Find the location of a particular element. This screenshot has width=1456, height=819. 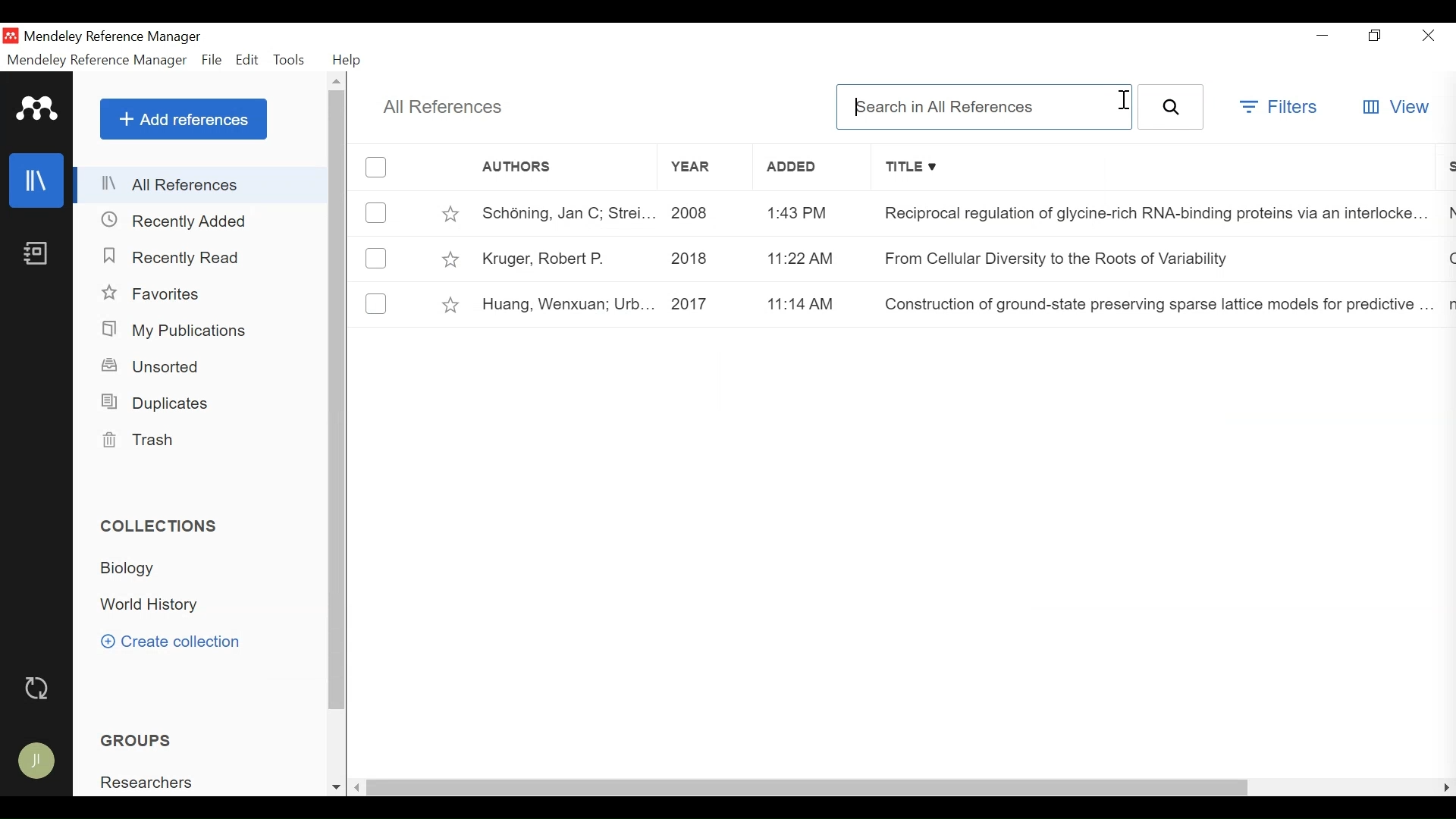

Library is located at coordinates (36, 180).